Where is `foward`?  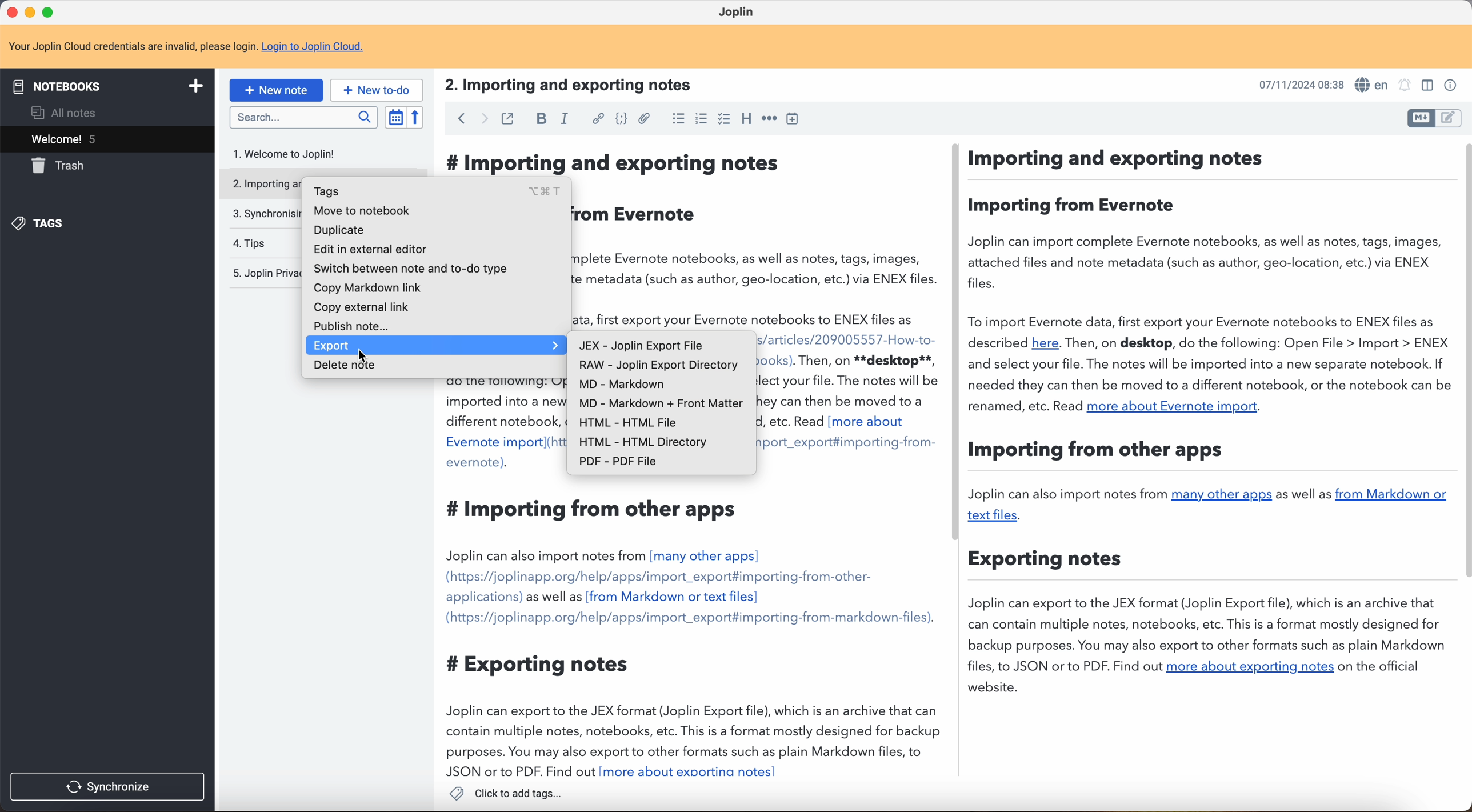
foward is located at coordinates (481, 119).